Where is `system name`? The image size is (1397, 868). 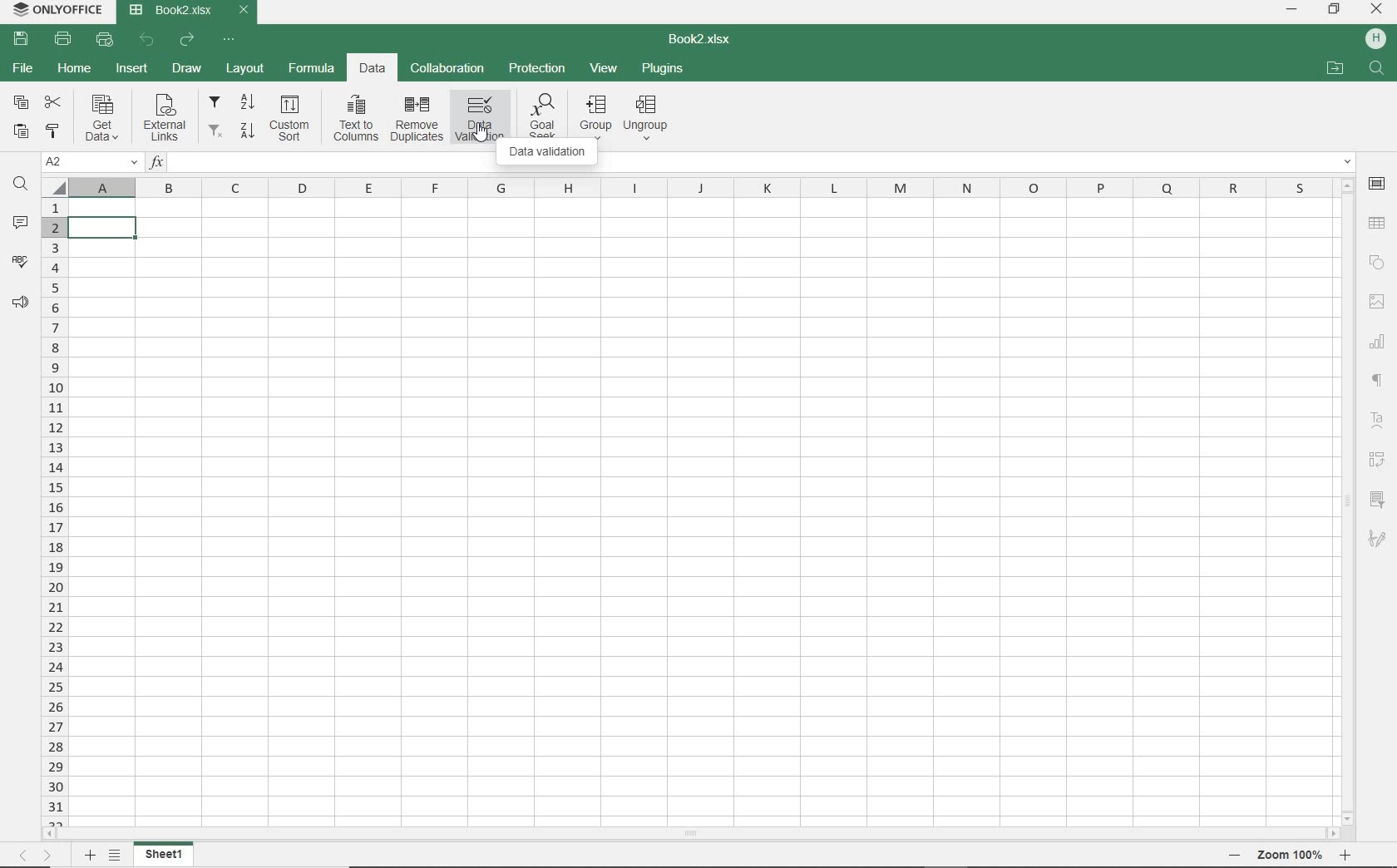
system name is located at coordinates (58, 11).